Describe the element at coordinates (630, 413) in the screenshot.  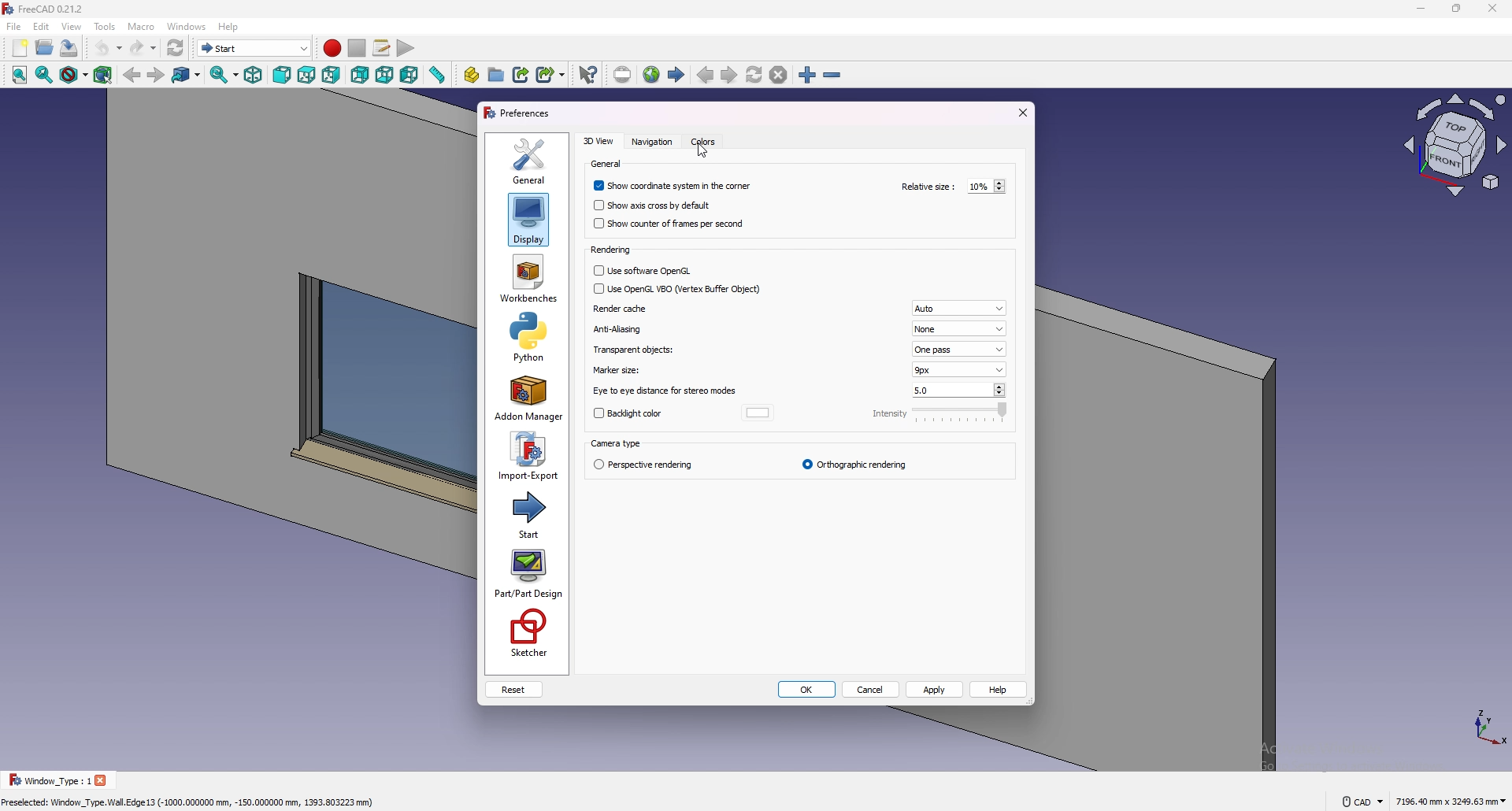
I see `backlight color` at that location.